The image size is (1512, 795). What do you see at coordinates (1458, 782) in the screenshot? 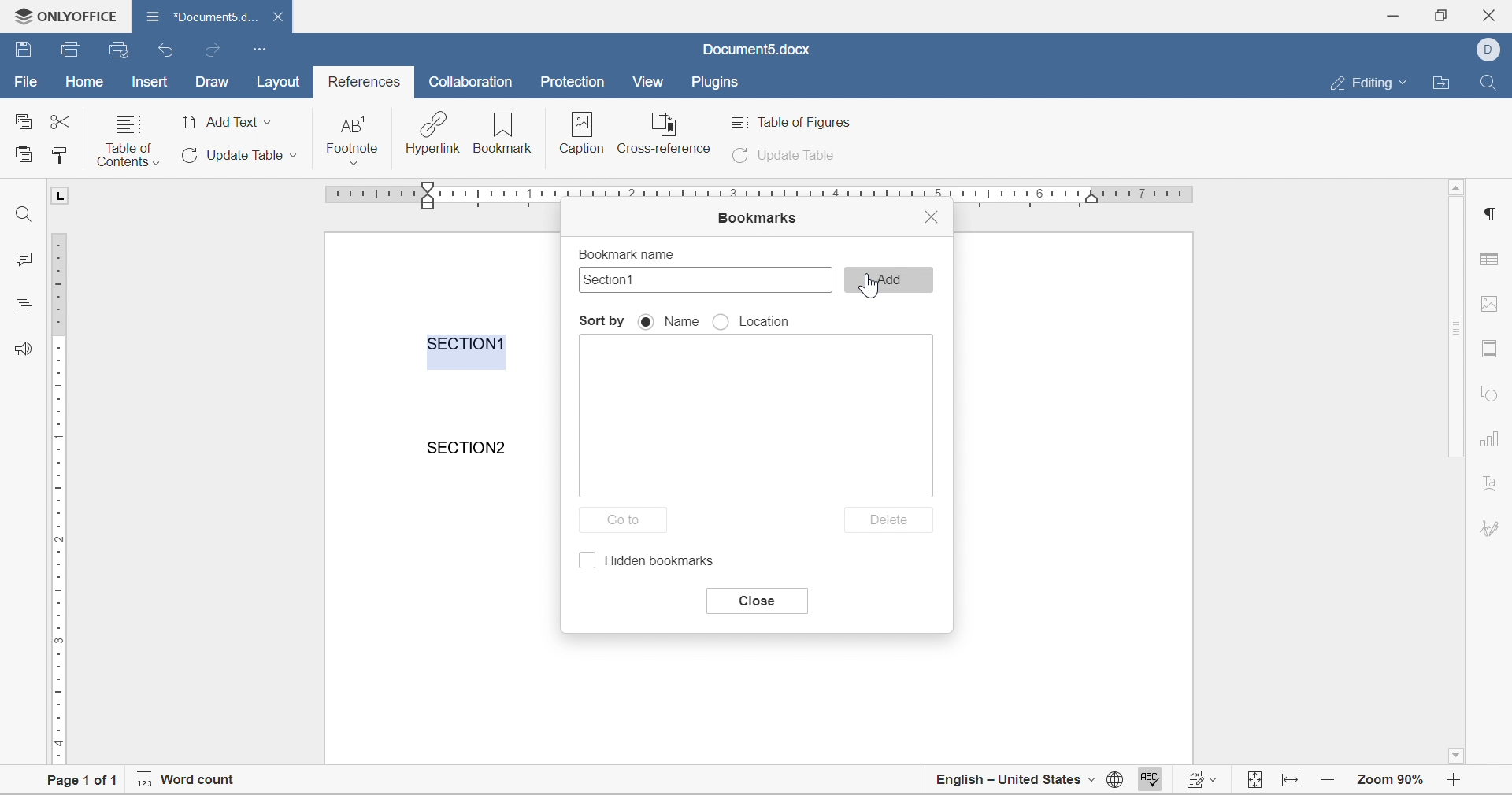
I see `zoom out` at bounding box center [1458, 782].